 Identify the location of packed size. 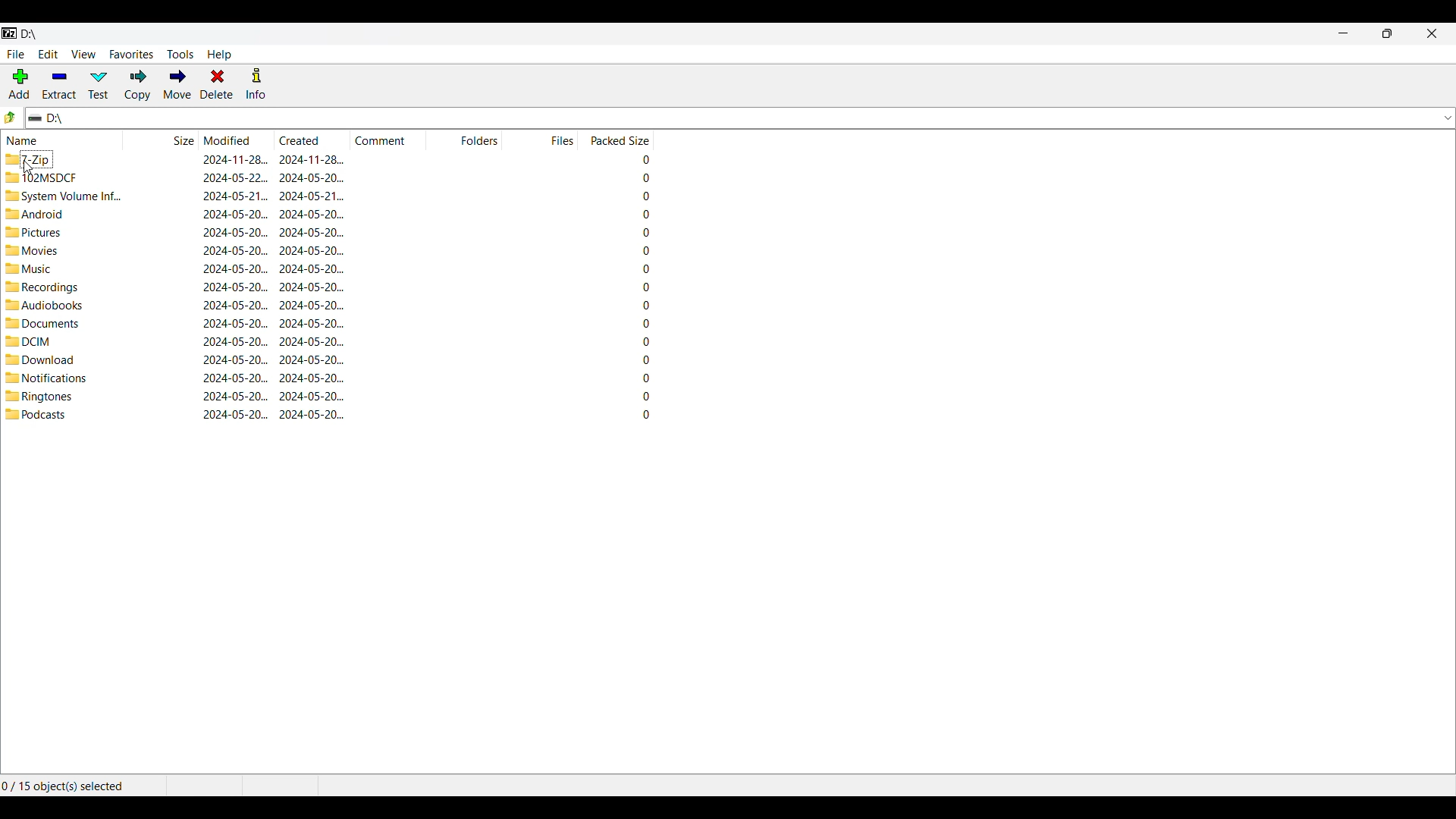
(642, 268).